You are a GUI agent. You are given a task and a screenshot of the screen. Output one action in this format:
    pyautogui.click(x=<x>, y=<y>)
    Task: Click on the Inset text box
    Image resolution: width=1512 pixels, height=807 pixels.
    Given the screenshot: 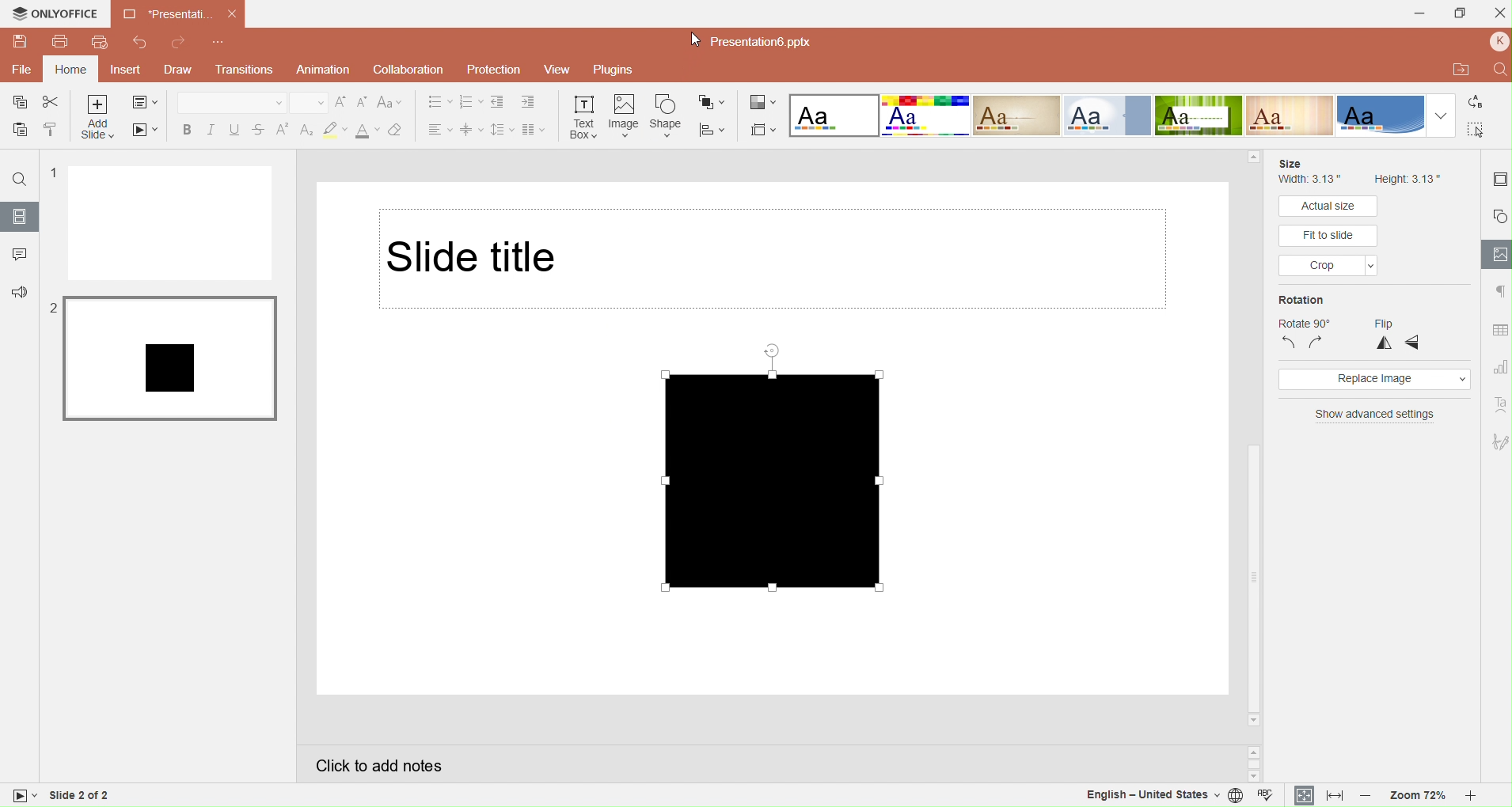 What is the action you would take?
    pyautogui.click(x=583, y=116)
    